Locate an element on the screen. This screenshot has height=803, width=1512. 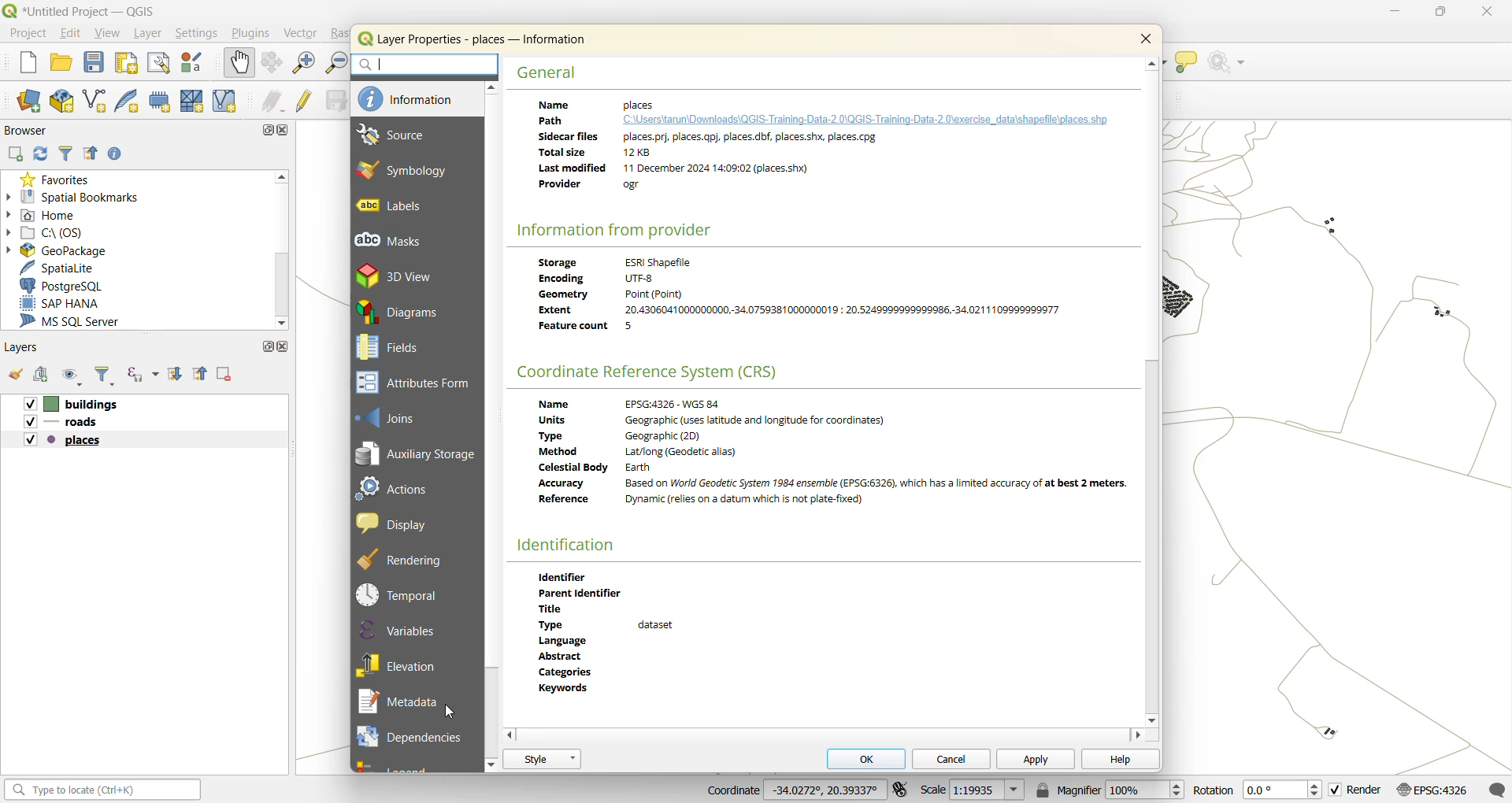
coordinates is located at coordinates (791, 790).